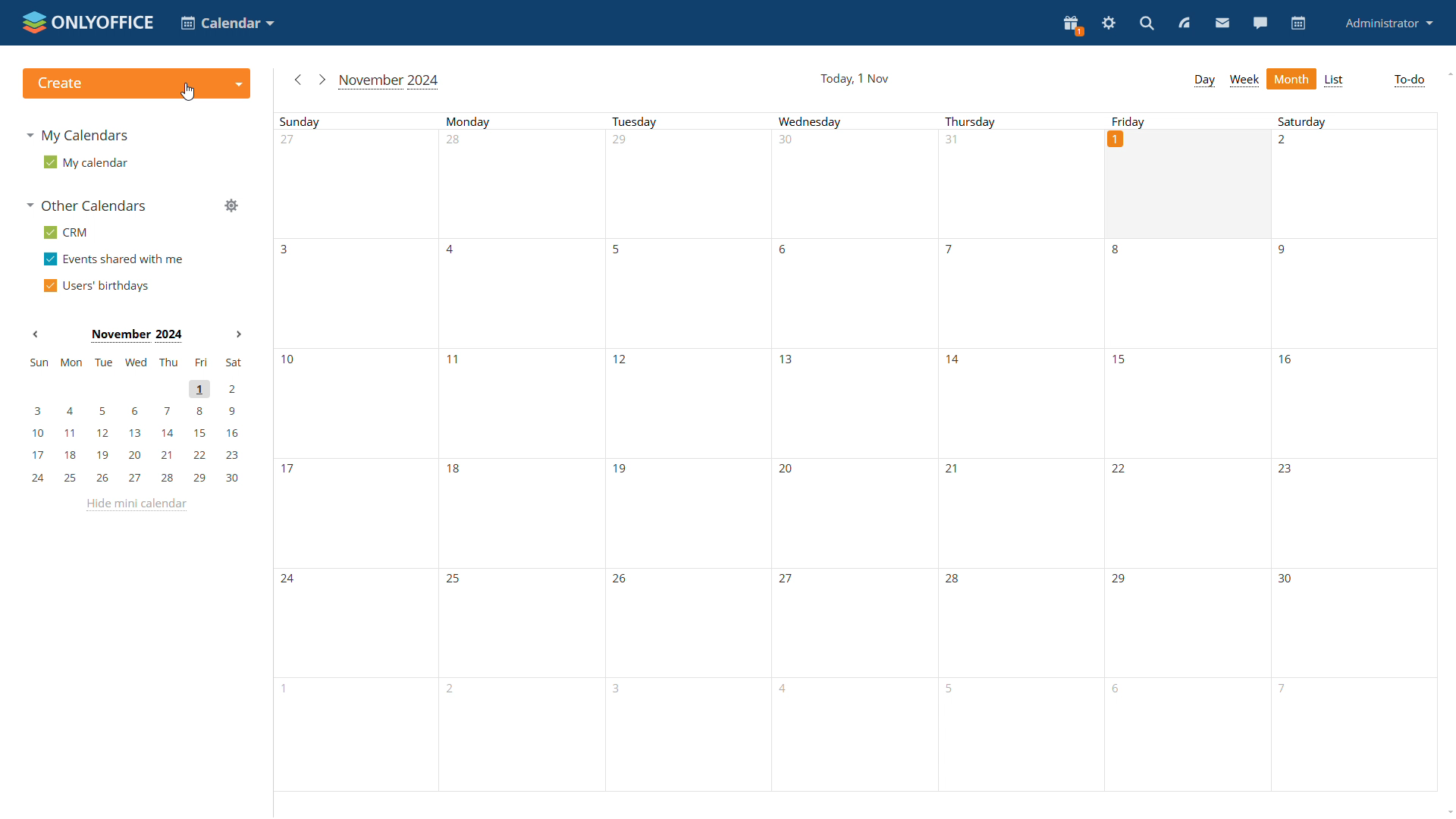 This screenshot has height=819, width=1456. What do you see at coordinates (322, 80) in the screenshot?
I see `go to next month` at bounding box center [322, 80].